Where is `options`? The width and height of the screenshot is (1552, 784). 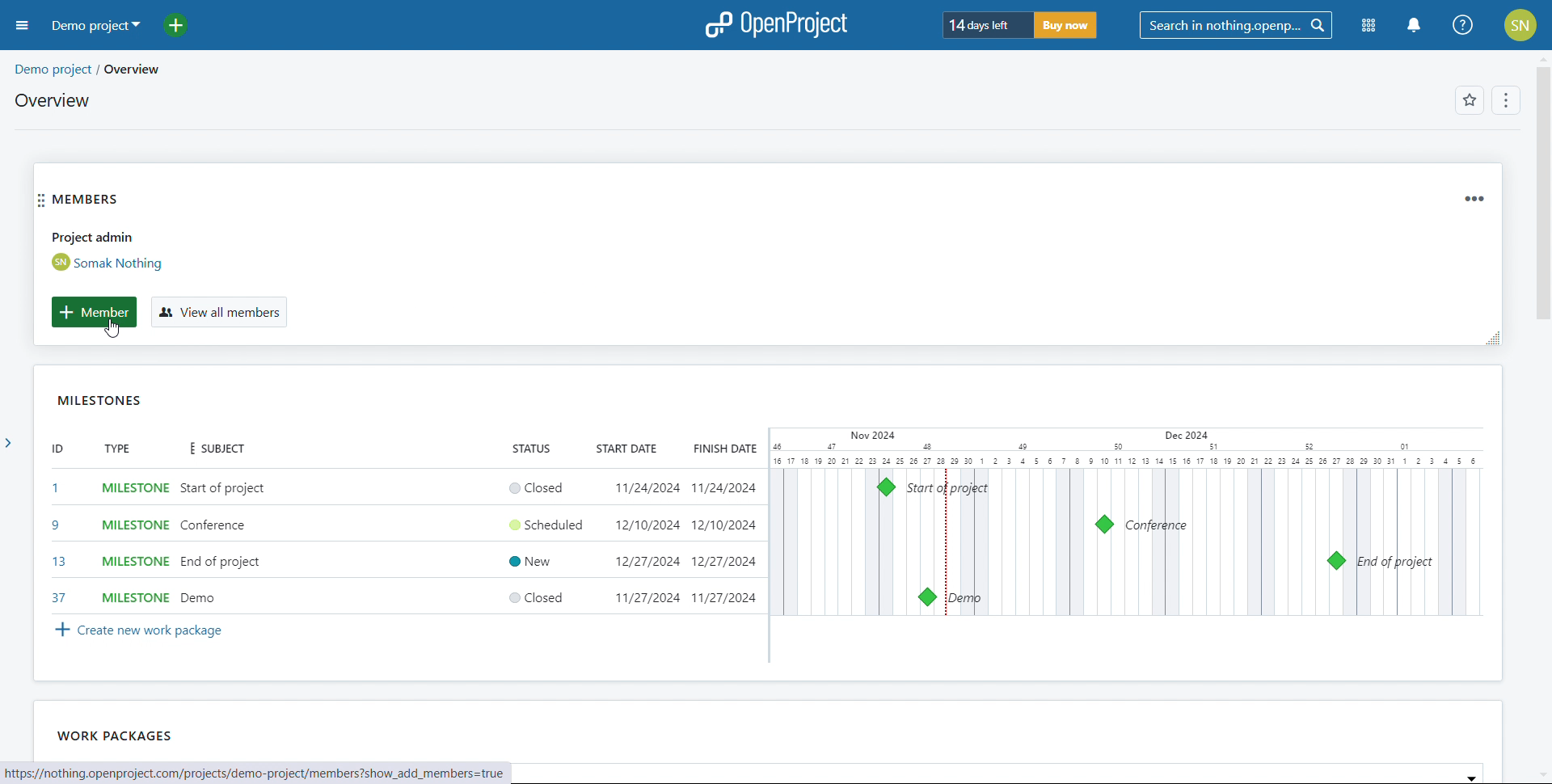
options is located at coordinates (1508, 100).